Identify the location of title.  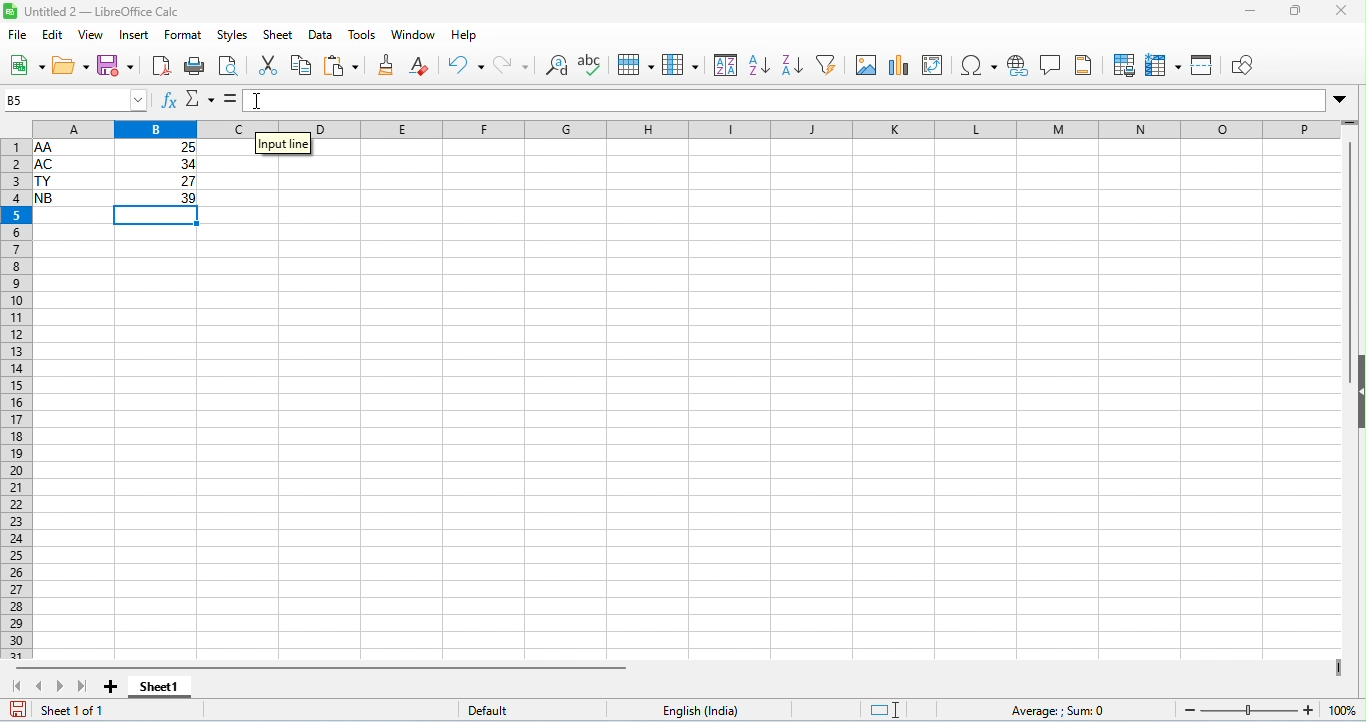
(92, 11).